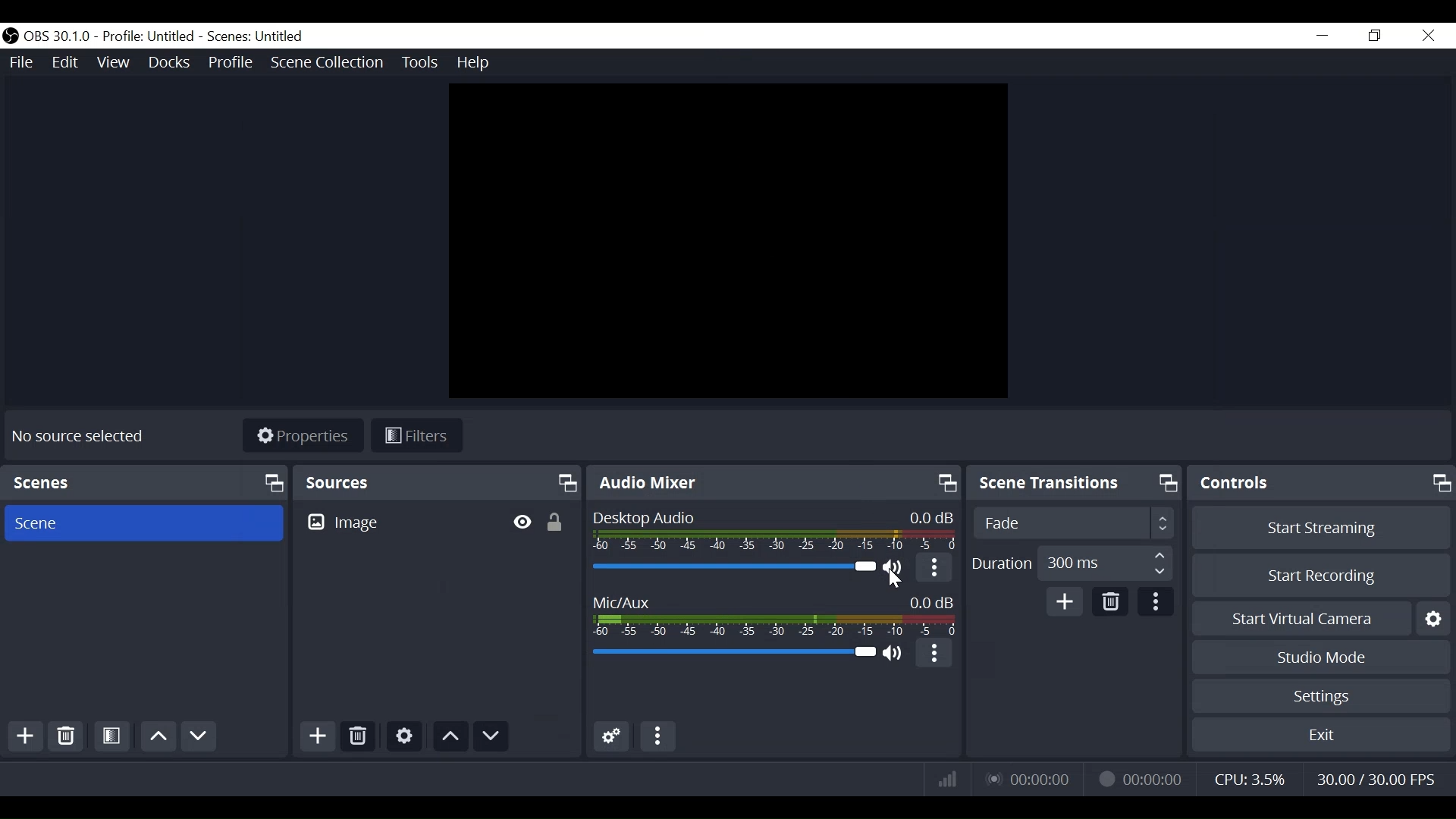 This screenshot has width=1456, height=819. What do you see at coordinates (521, 521) in the screenshot?
I see `Hide/Display Source` at bounding box center [521, 521].